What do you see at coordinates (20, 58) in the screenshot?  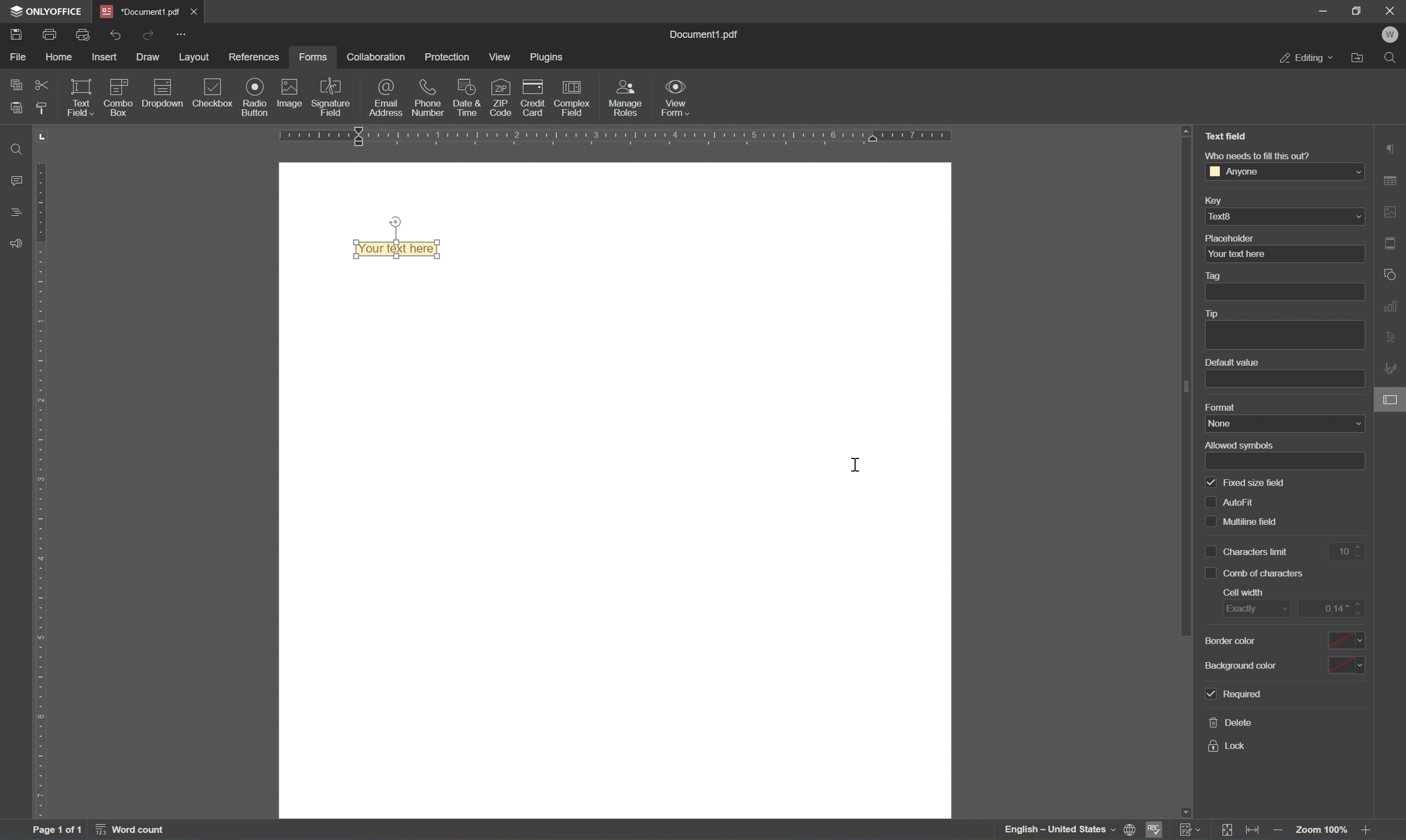 I see `file` at bounding box center [20, 58].